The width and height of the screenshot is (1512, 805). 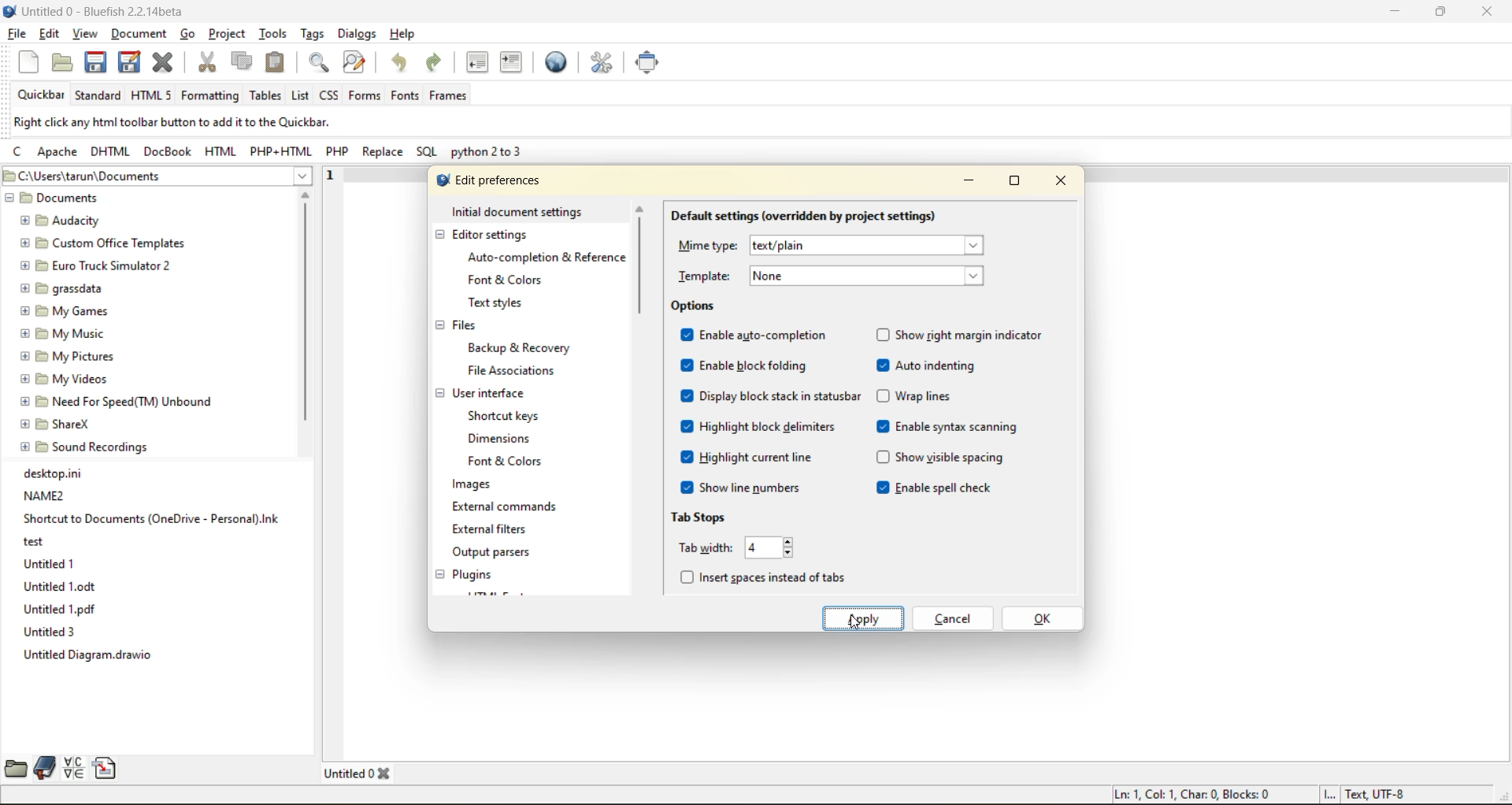 I want to click on sql, so click(x=428, y=154).